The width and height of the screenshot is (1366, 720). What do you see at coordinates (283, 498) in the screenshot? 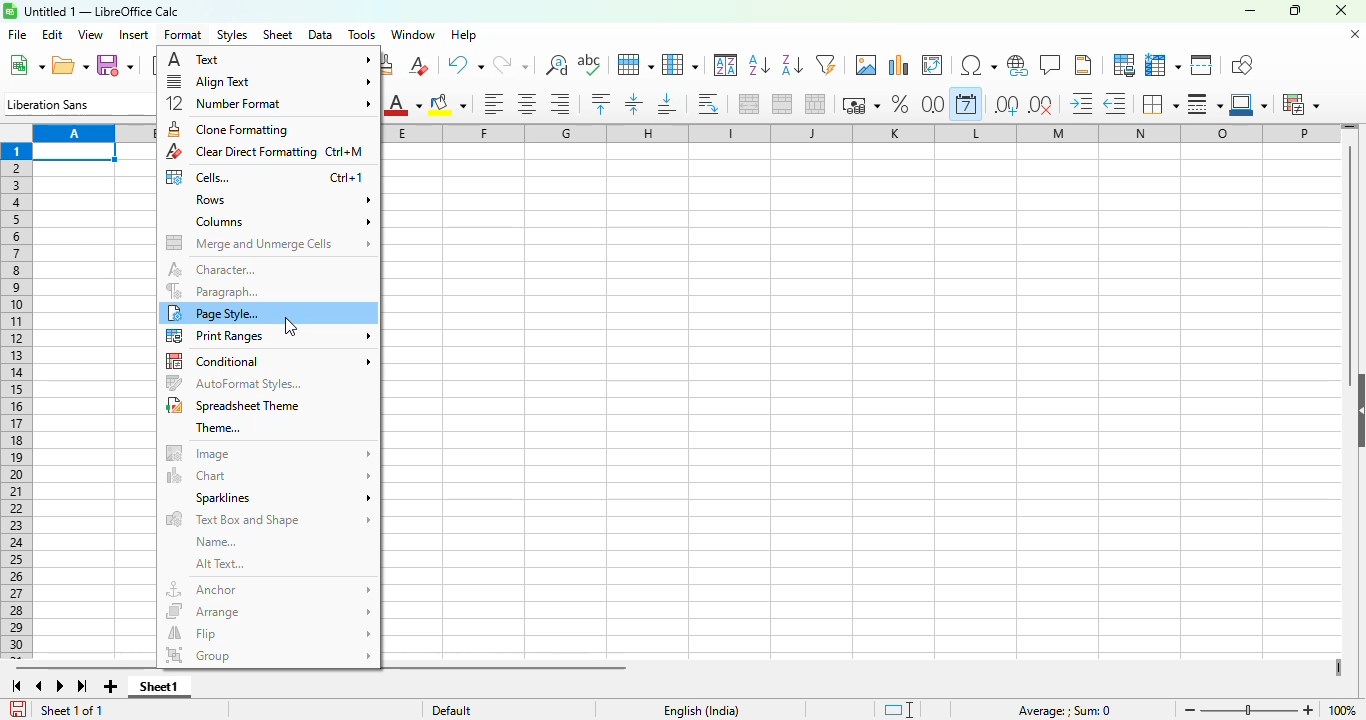
I see `sparklines` at bounding box center [283, 498].